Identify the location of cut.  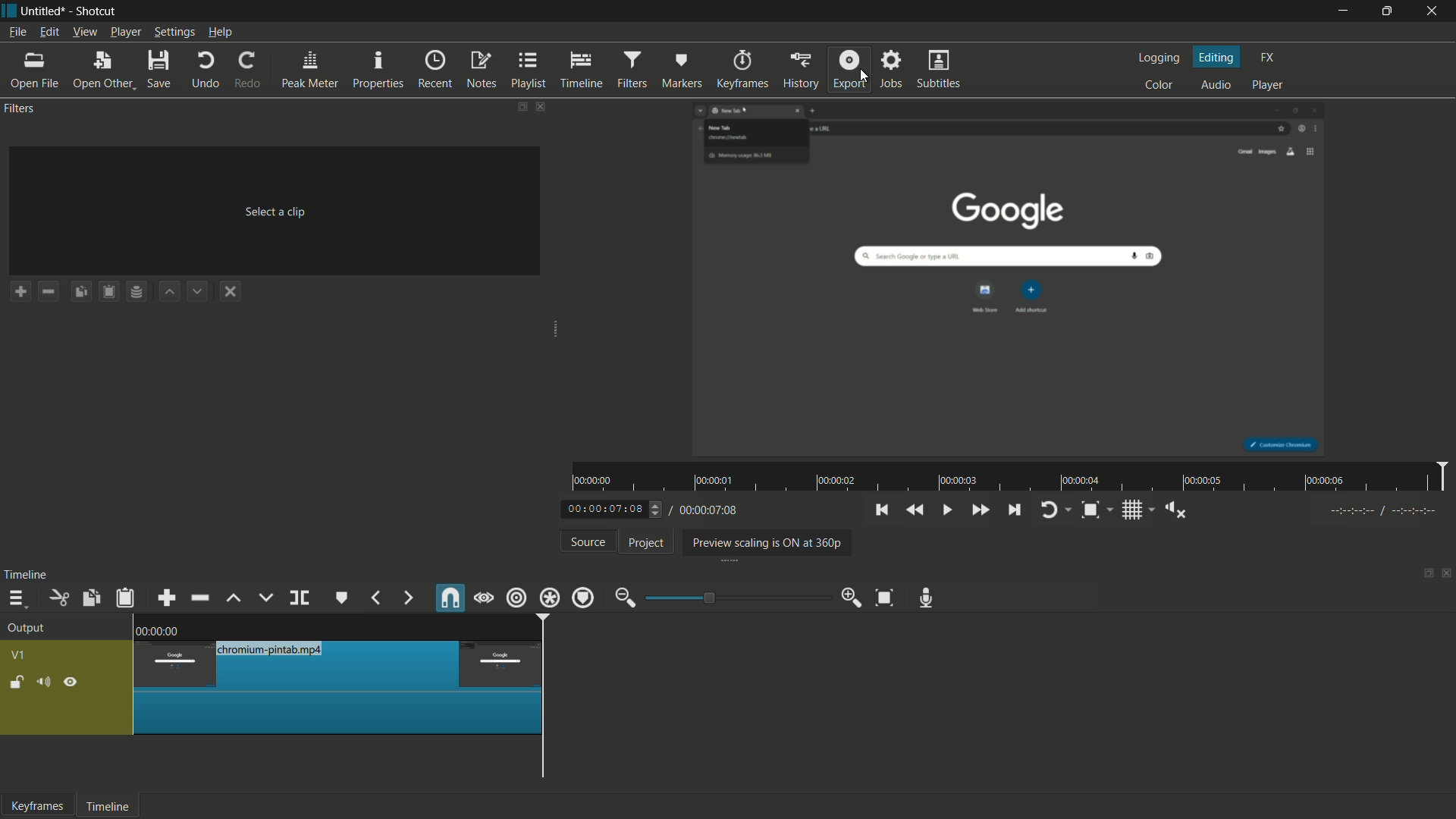
(58, 599).